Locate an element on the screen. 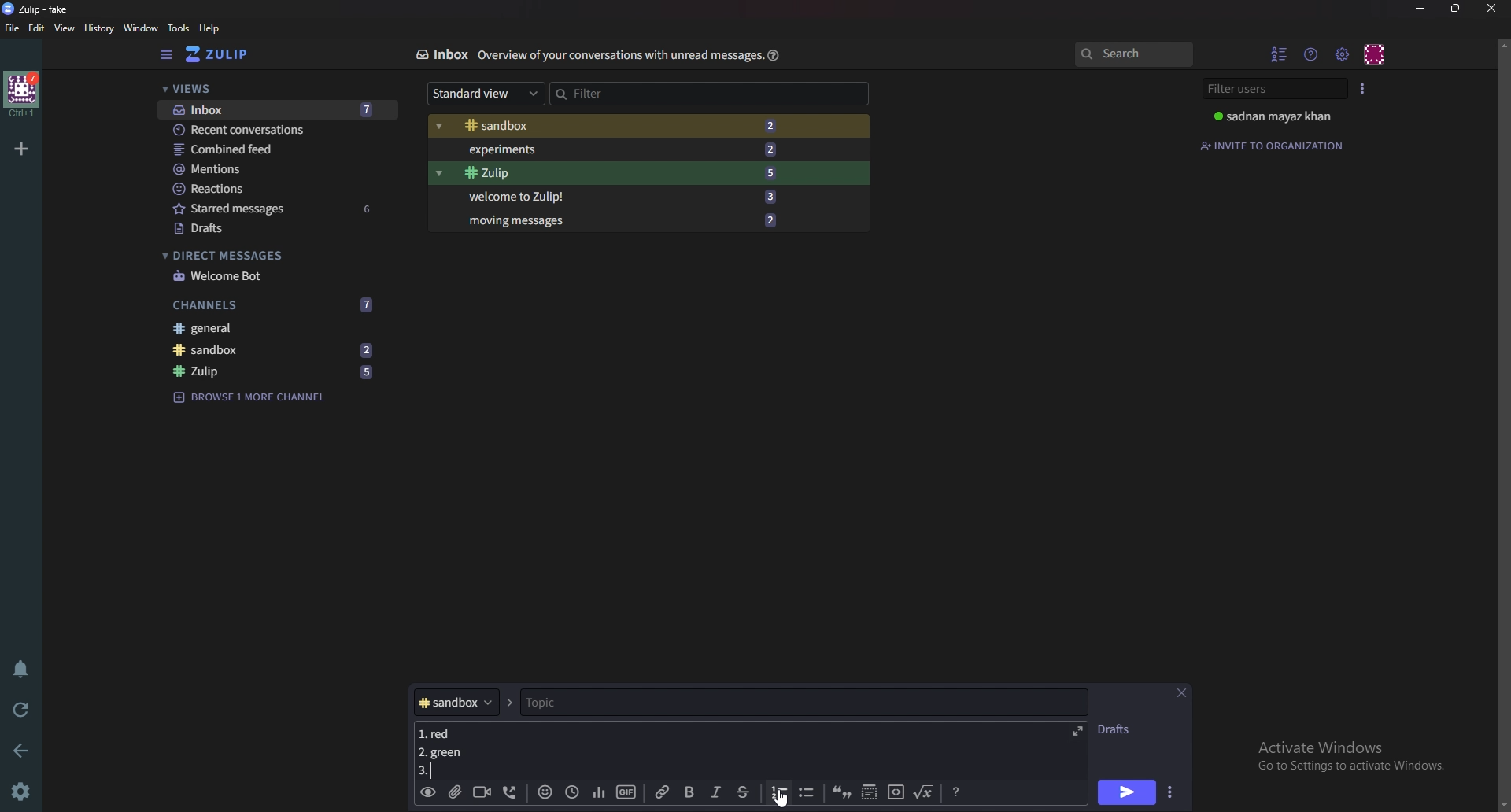 This screenshot has width=1511, height=812. User is located at coordinates (1276, 116).